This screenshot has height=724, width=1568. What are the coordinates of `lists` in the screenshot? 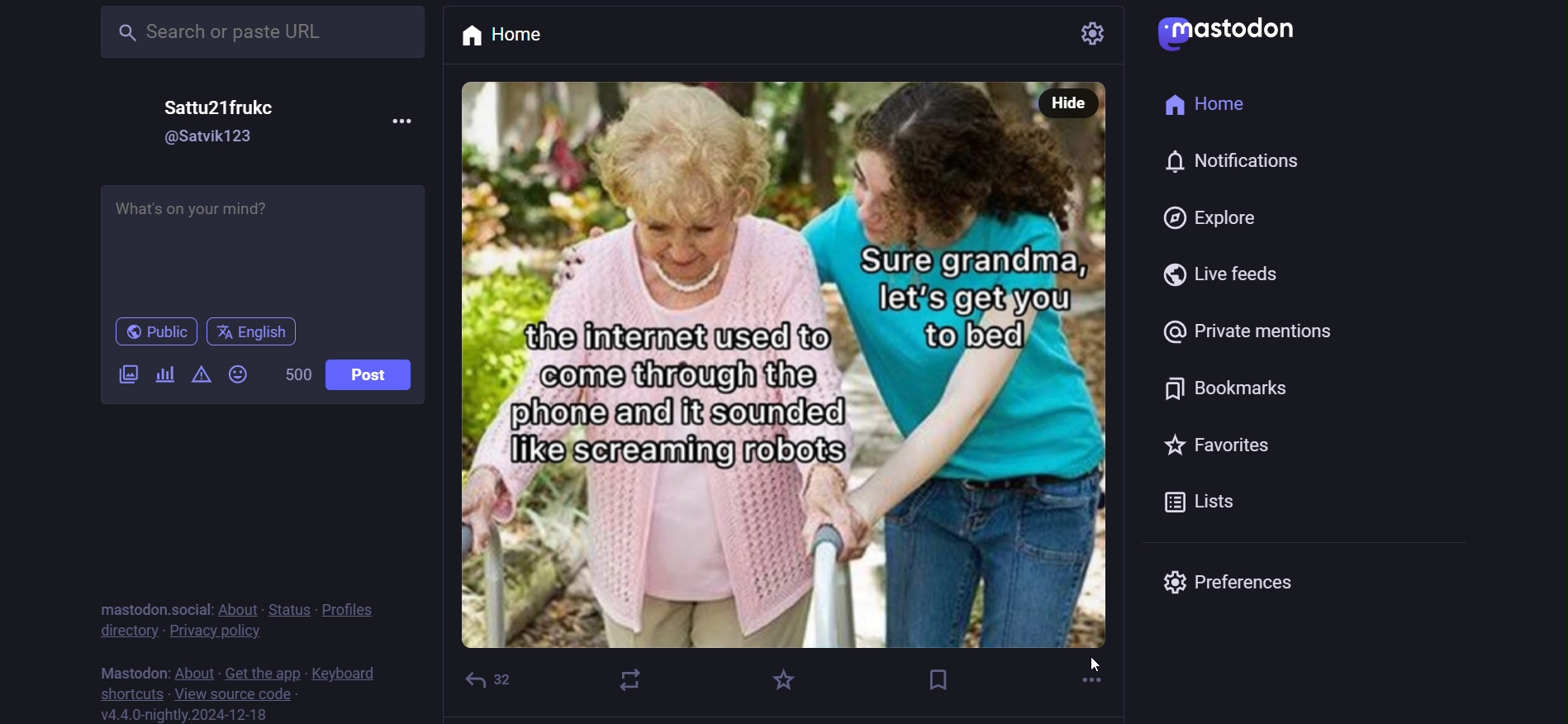 It's located at (1188, 498).